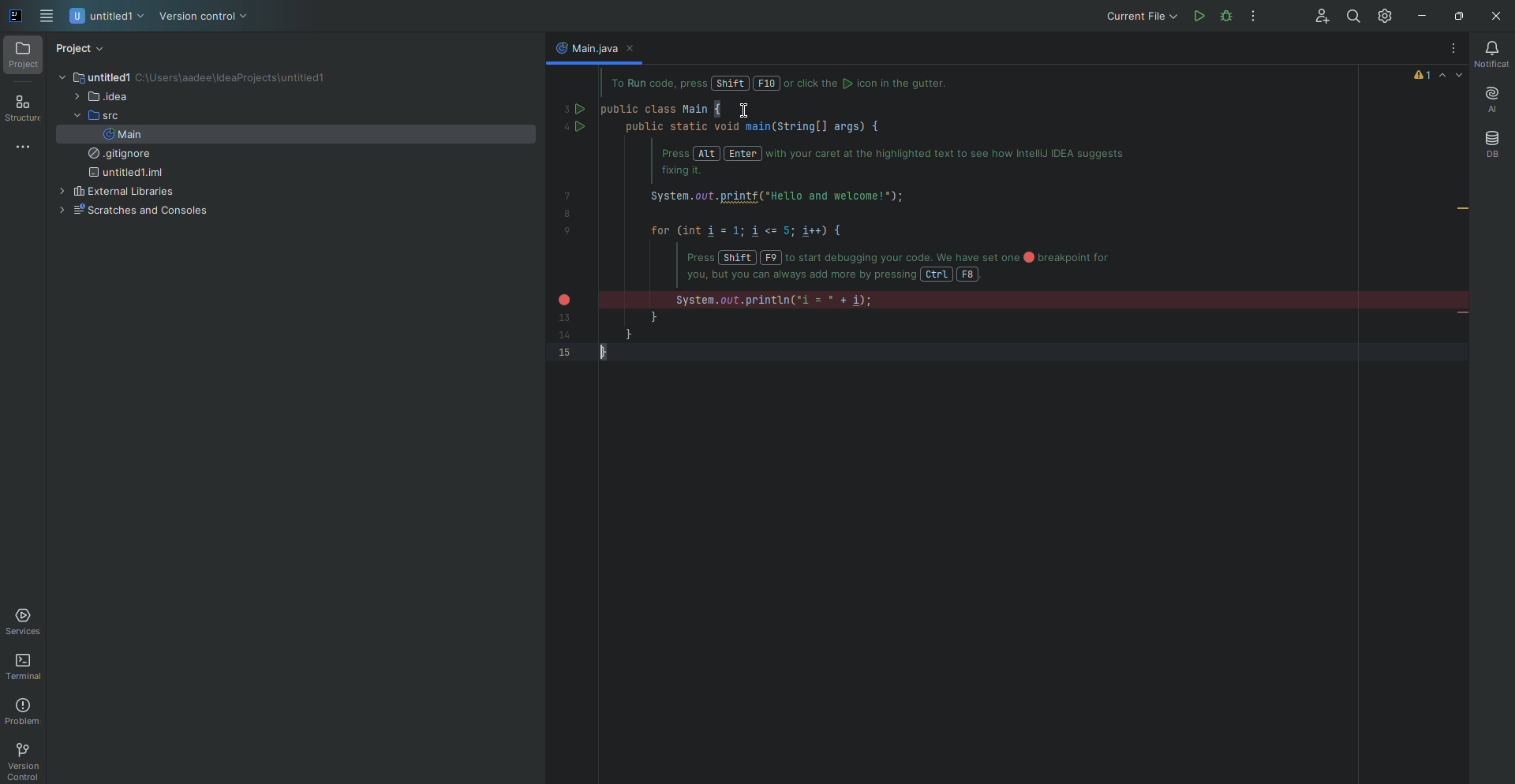  Describe the element at coordinates (1456, 16) in the screenshot. I see `Restore` at that location.